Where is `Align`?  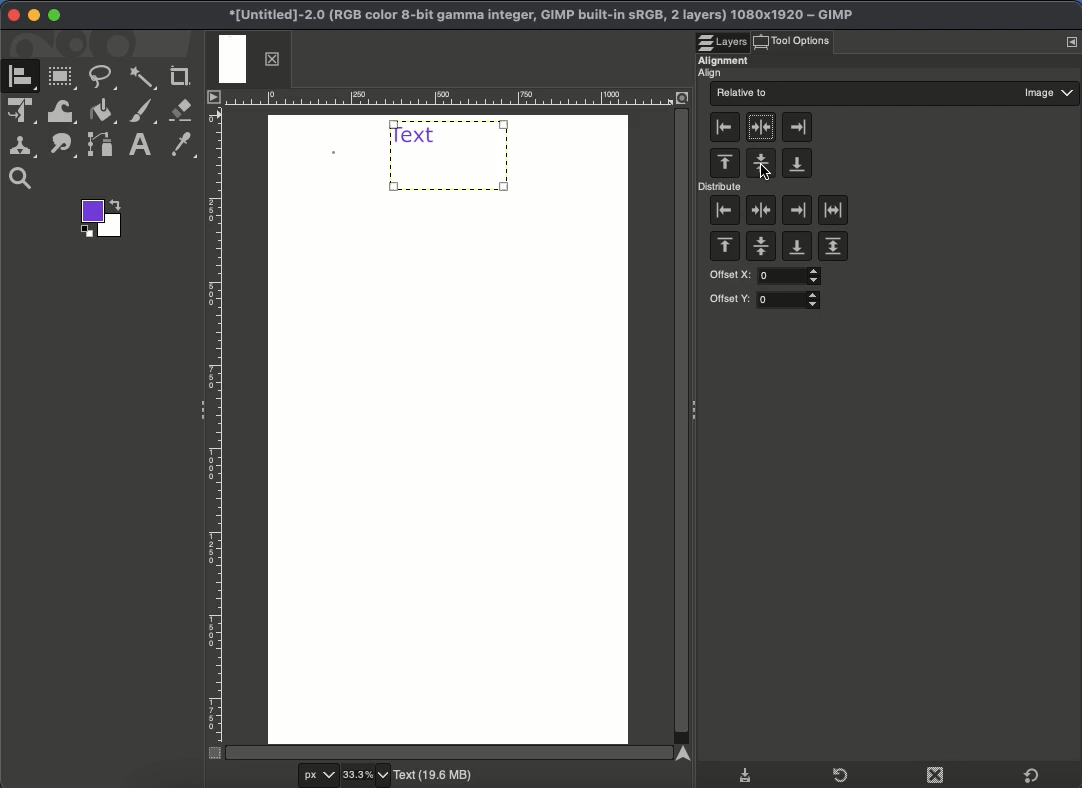
Align is located at coordinates (719, 73).